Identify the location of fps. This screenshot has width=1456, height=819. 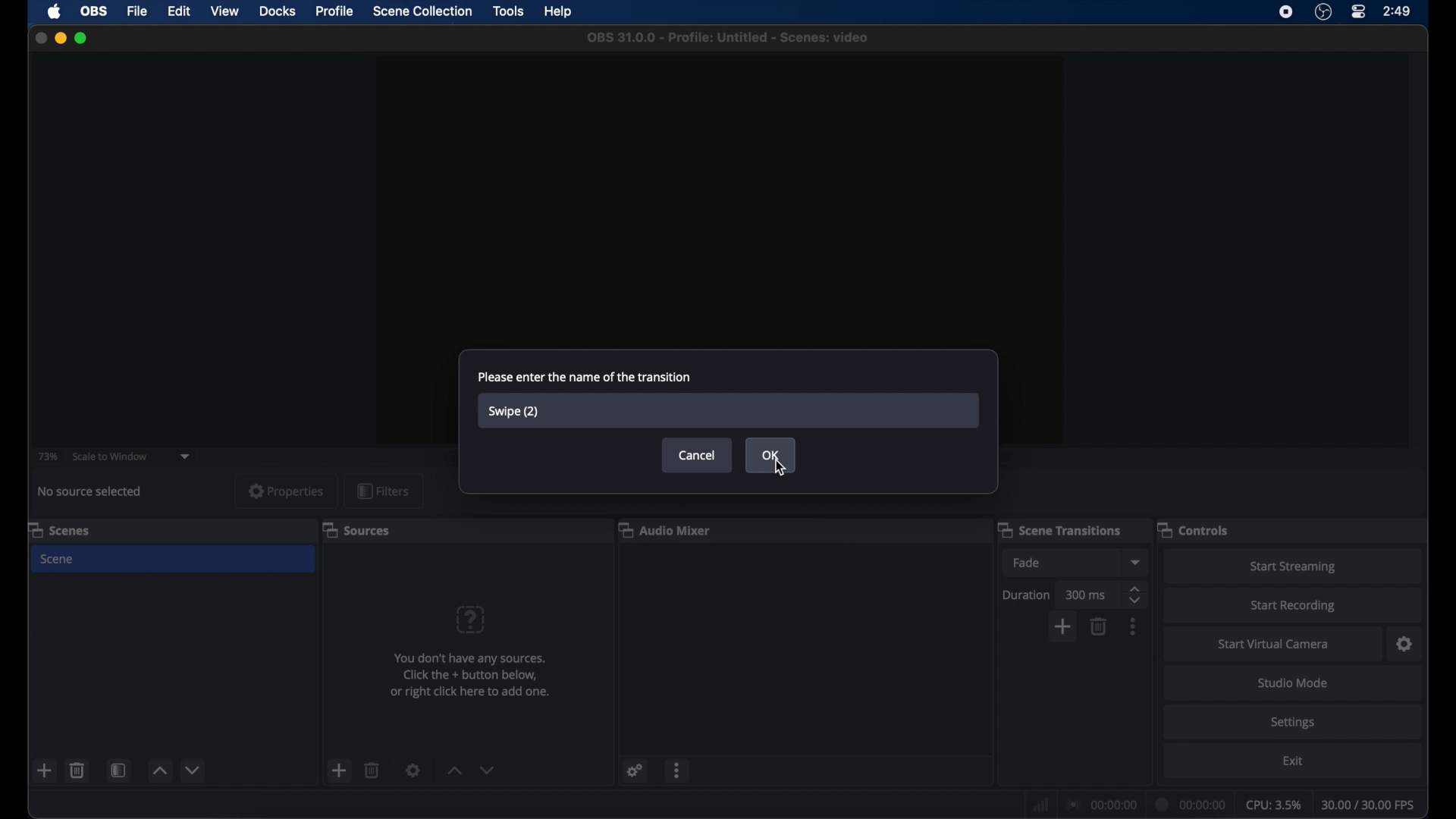
(1370, 805).